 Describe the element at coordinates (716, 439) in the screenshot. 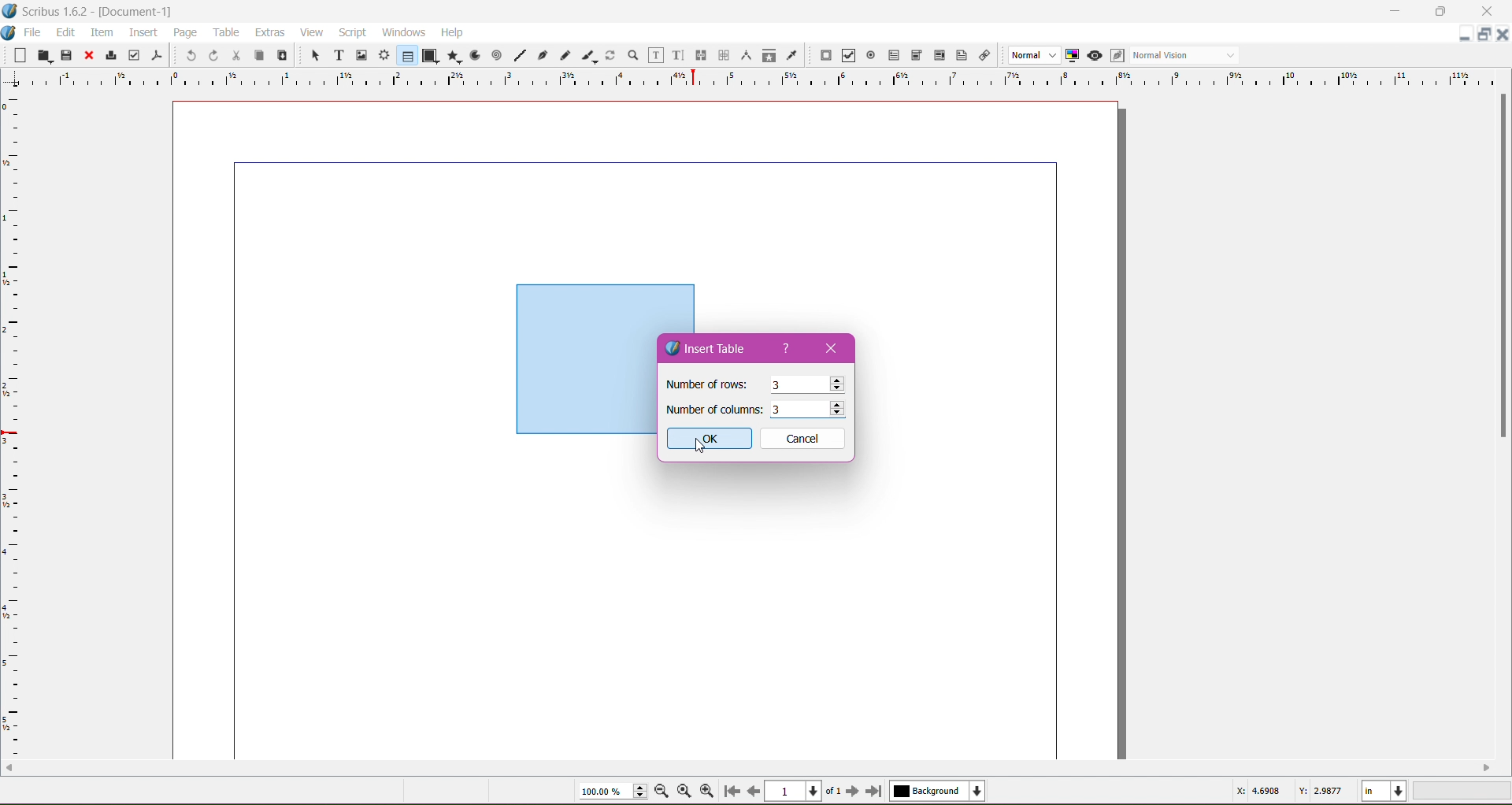

I see `OK` at that location.